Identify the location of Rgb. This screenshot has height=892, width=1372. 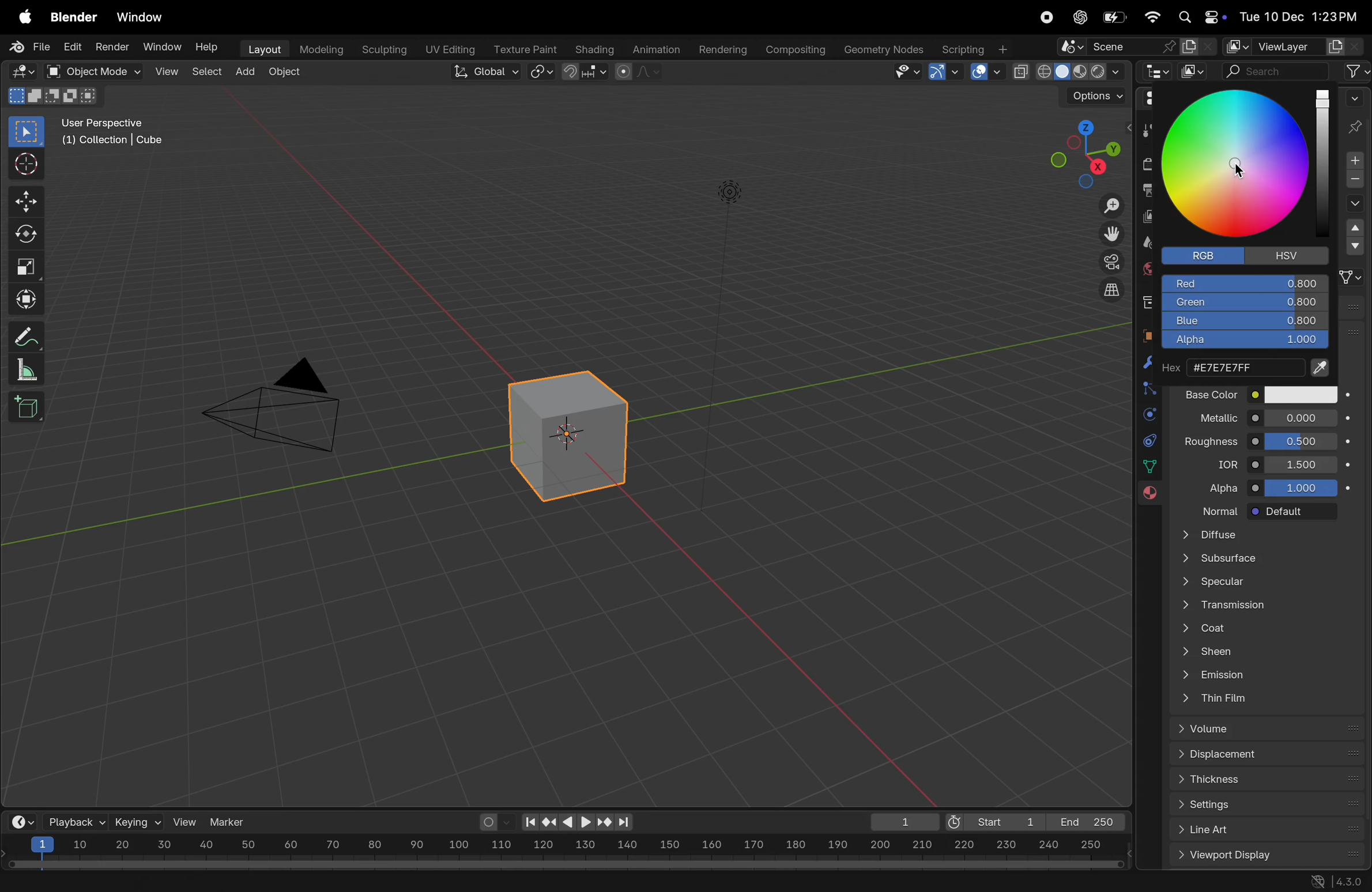
(1207, 257).